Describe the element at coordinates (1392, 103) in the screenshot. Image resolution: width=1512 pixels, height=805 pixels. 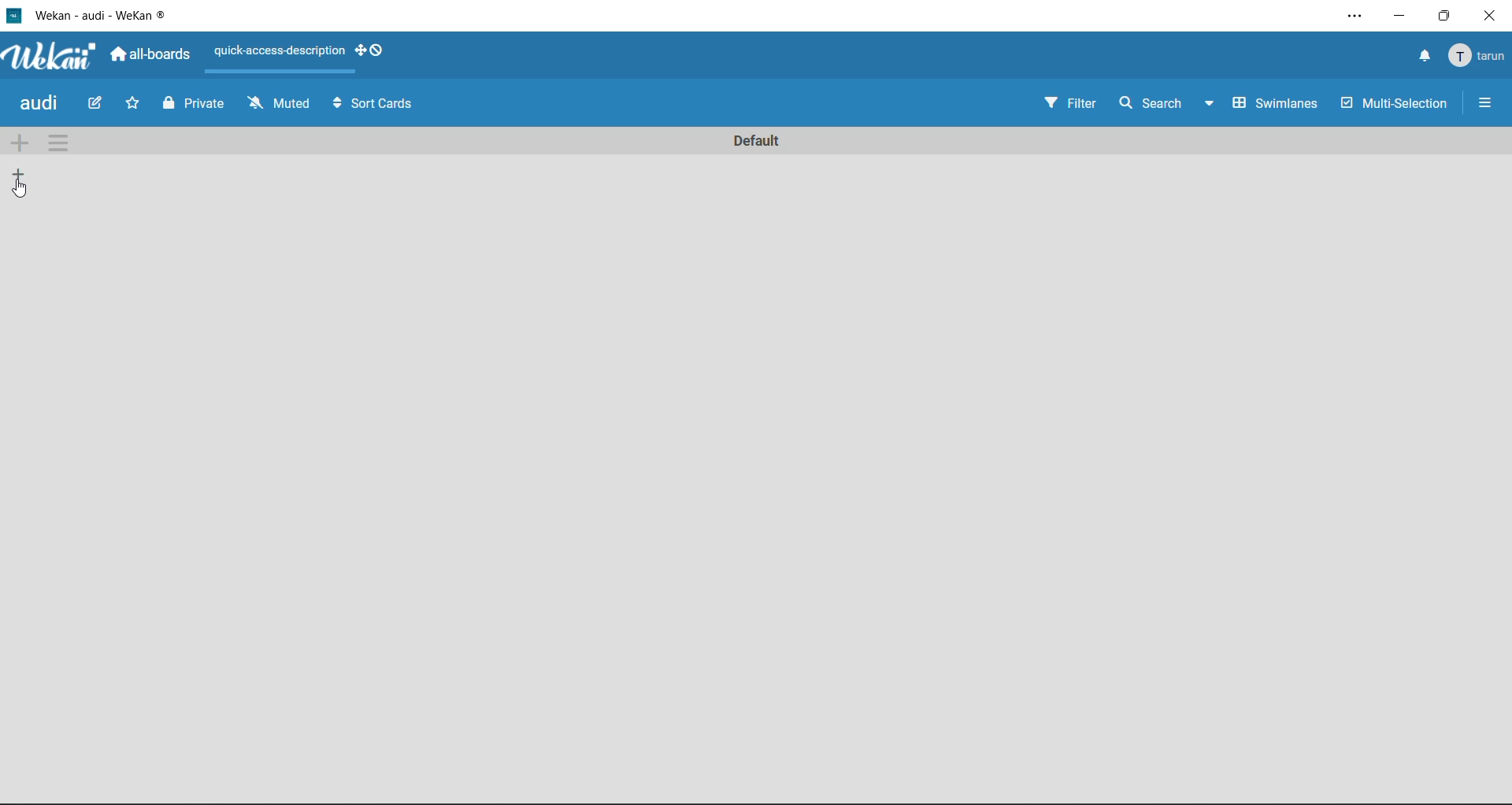
I see `Multi-Selection` at that location.